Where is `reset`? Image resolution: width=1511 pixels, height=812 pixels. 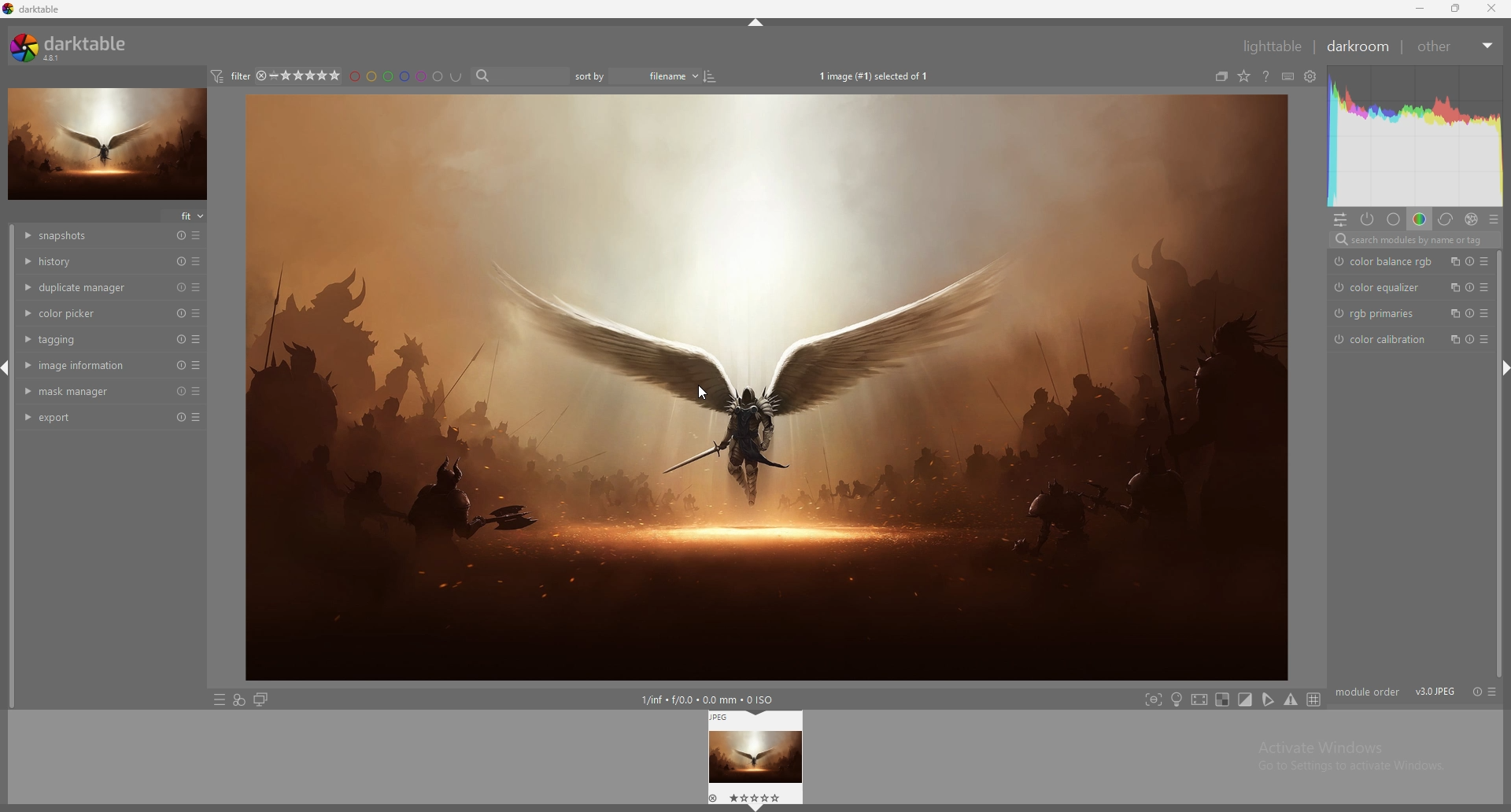
reset is located at coordinates (182, 417).